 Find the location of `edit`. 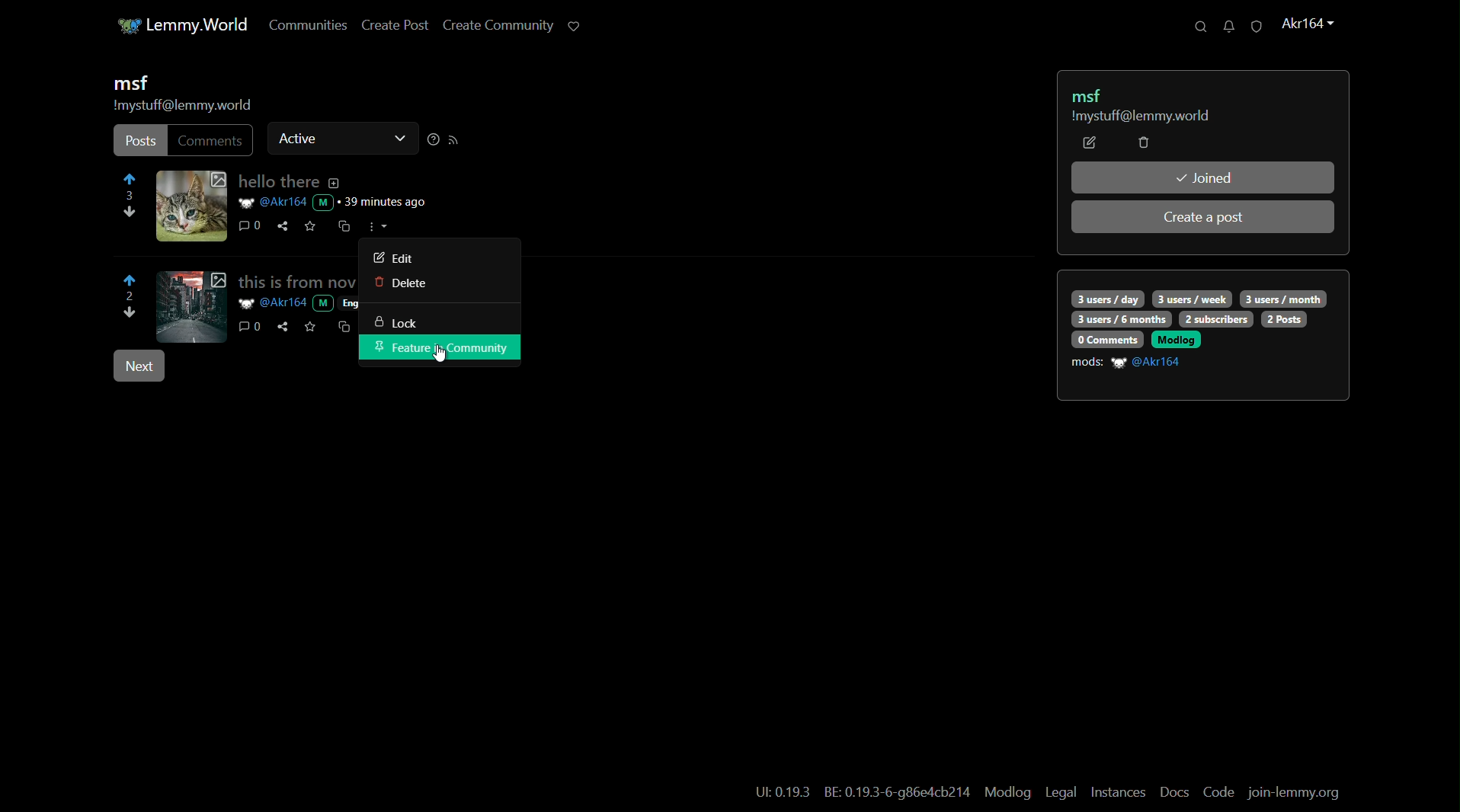

edit is located at coordinates (391, 257).